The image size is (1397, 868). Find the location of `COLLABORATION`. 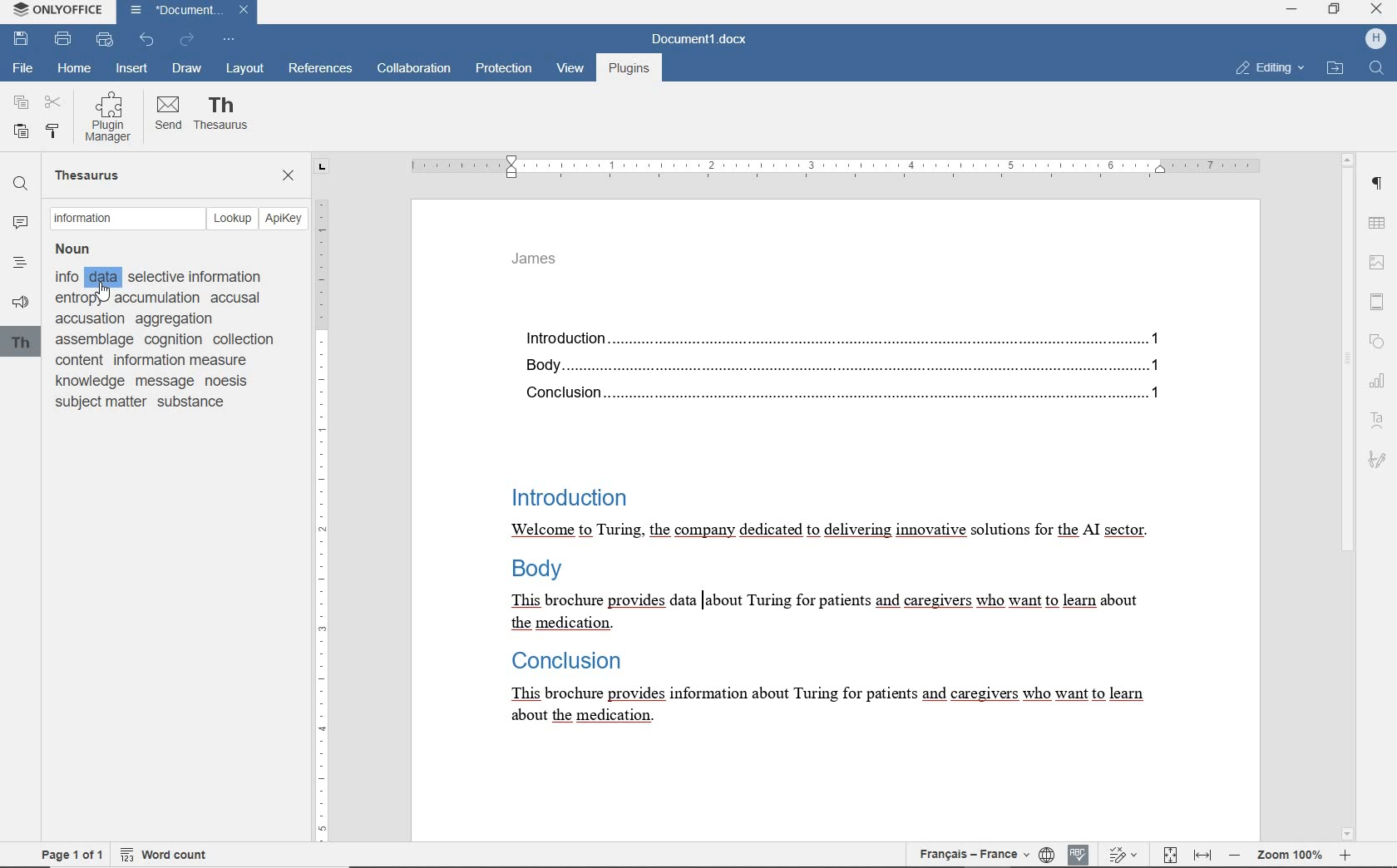

COLLABORATION is located at coordinates (413, 70).